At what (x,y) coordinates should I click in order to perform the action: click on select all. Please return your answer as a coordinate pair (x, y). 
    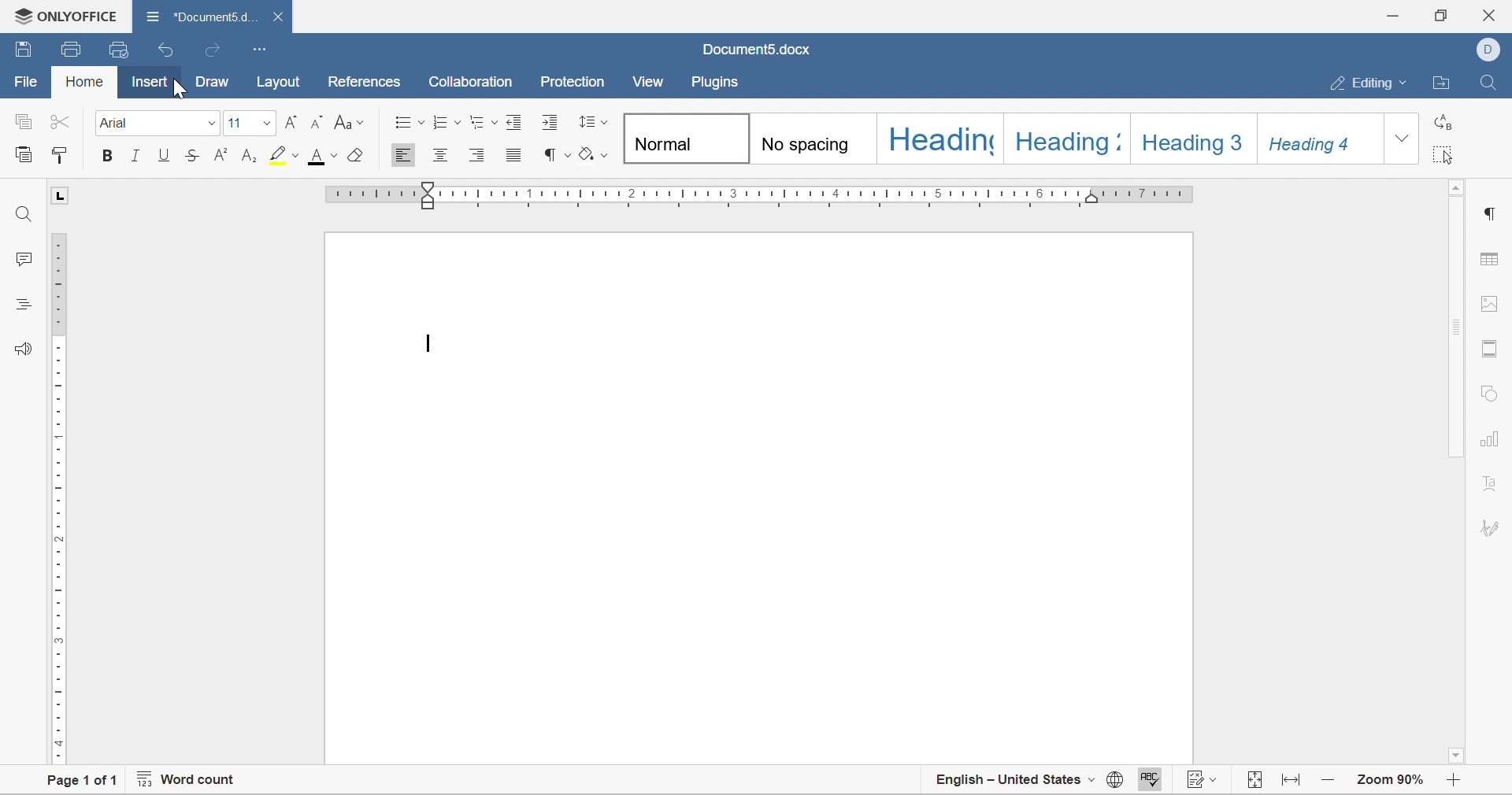
    Looking at the image, I should click on (1444, 154).